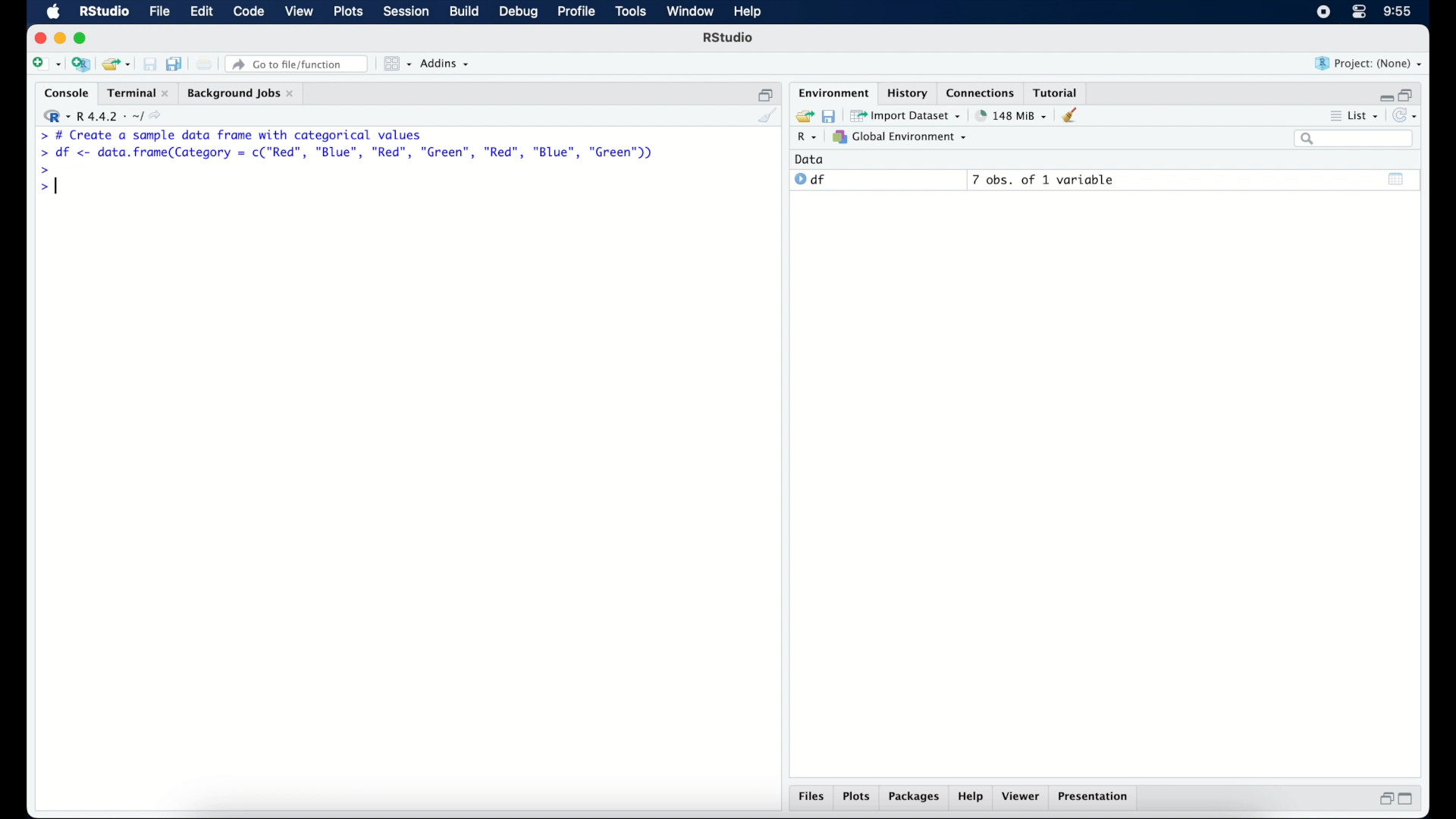 The image size is (1456, 819). I want to click on df, so click(811, 180).